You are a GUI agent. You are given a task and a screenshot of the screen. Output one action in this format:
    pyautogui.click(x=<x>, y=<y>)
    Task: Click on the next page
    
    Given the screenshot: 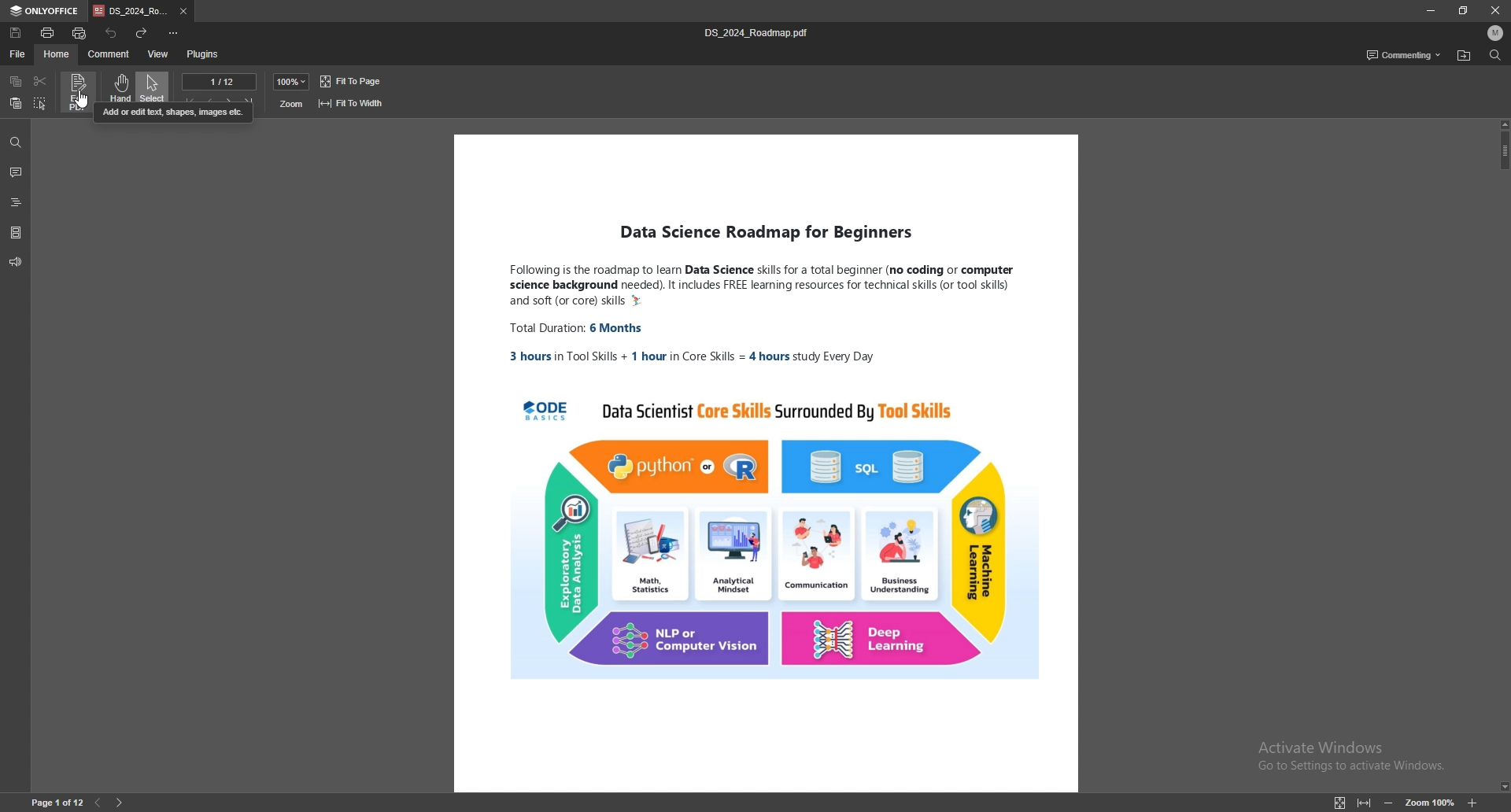 What is the action you would take?
    pyautogui.click(x=120, y=803)
    